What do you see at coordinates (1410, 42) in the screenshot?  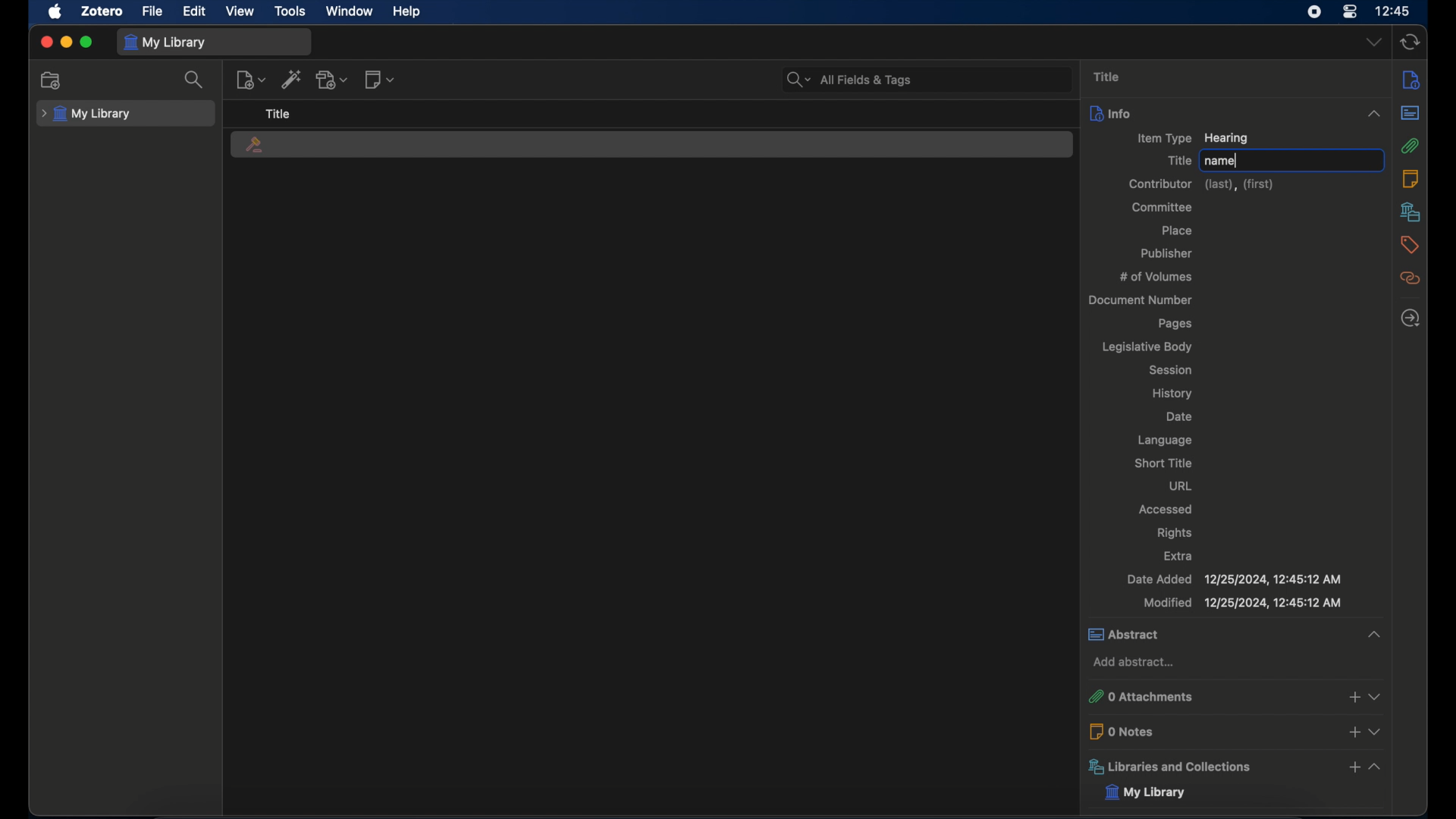 I see `sync` at bounding box center [1410, 42].